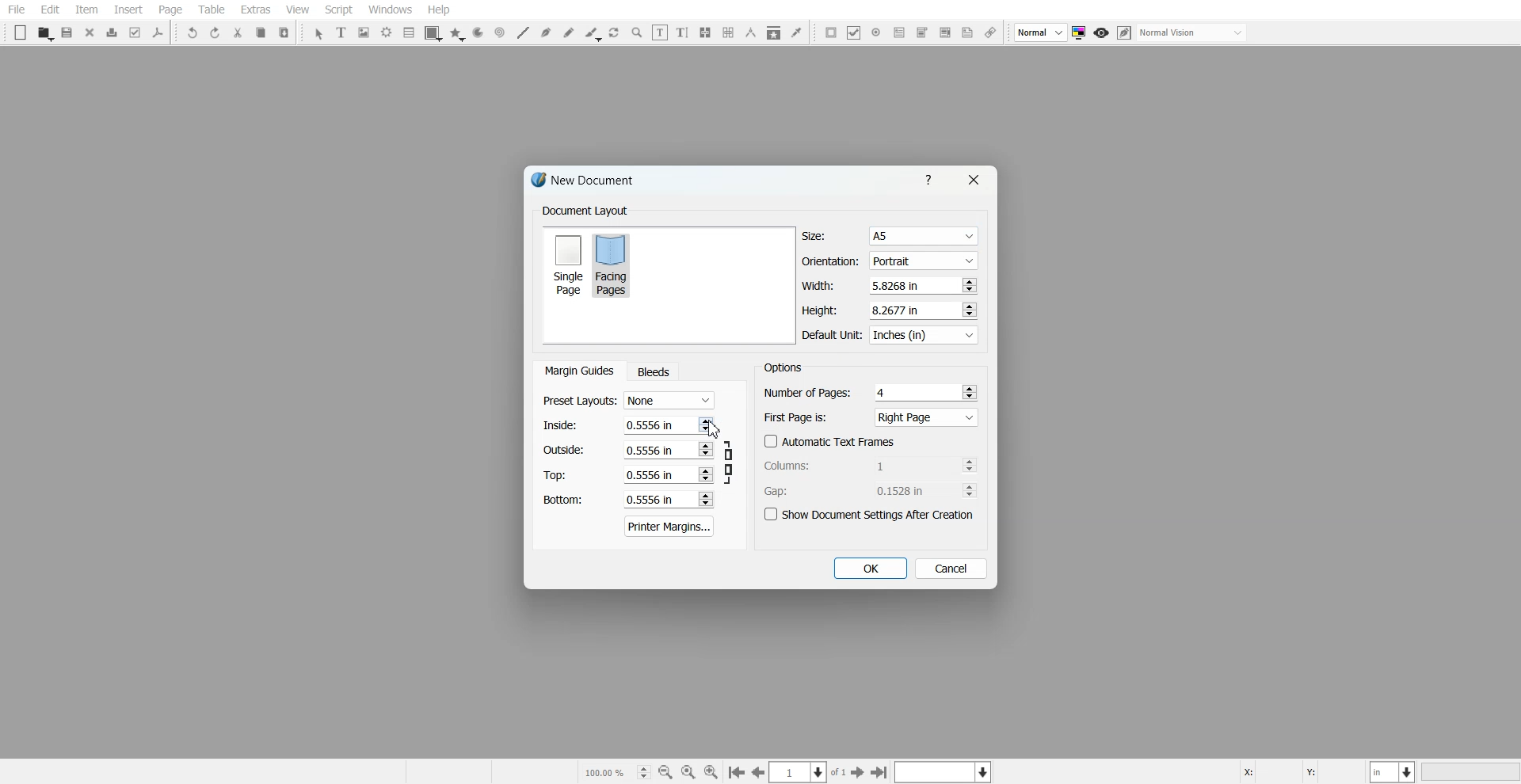  Describe the element at coordinates (904, 465) in the screenshot. I see `1` at that location.